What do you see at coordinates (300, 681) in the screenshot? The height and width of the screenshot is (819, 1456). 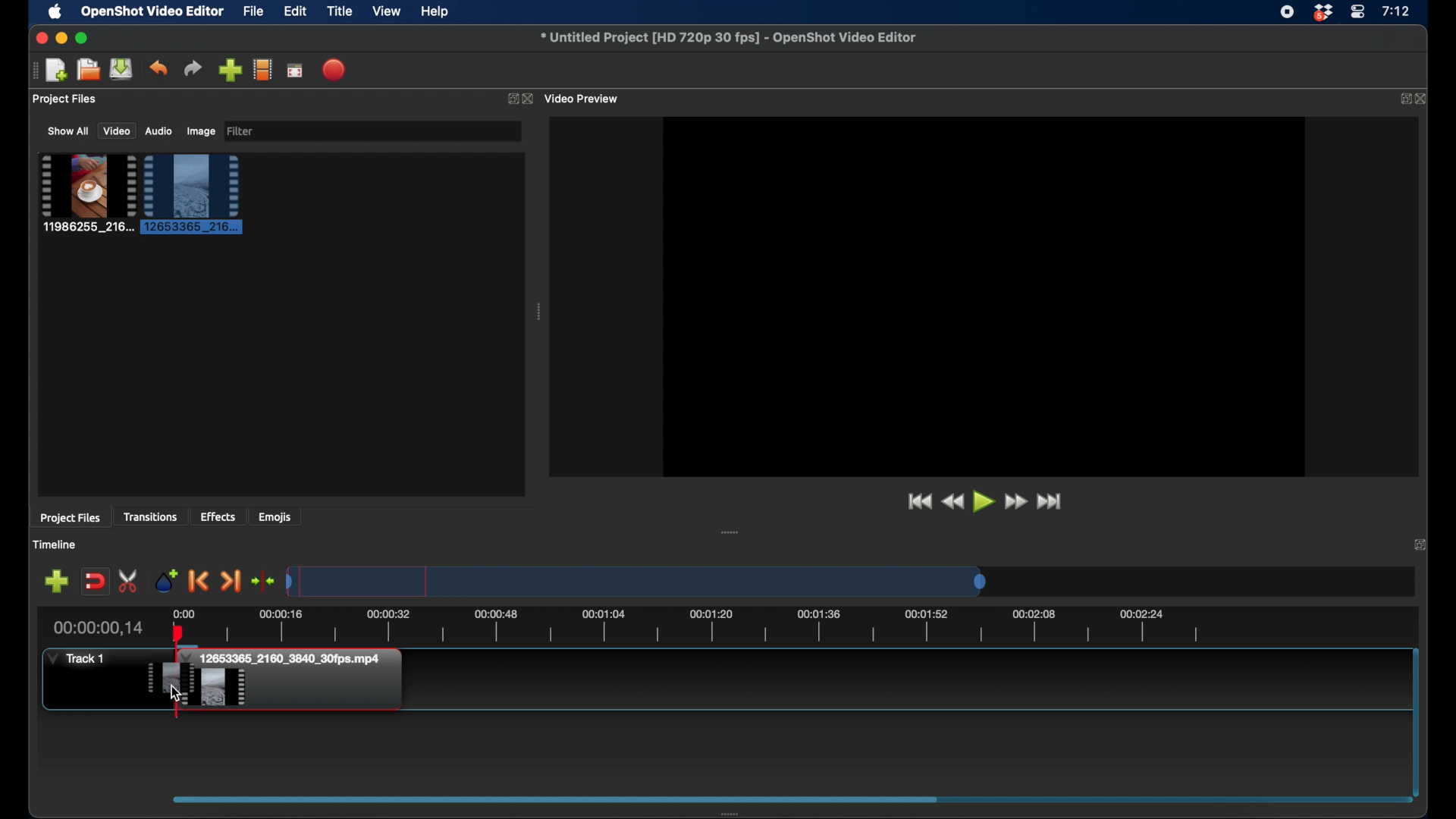 I see `File added to timeline` at bounding box center [300, 681].